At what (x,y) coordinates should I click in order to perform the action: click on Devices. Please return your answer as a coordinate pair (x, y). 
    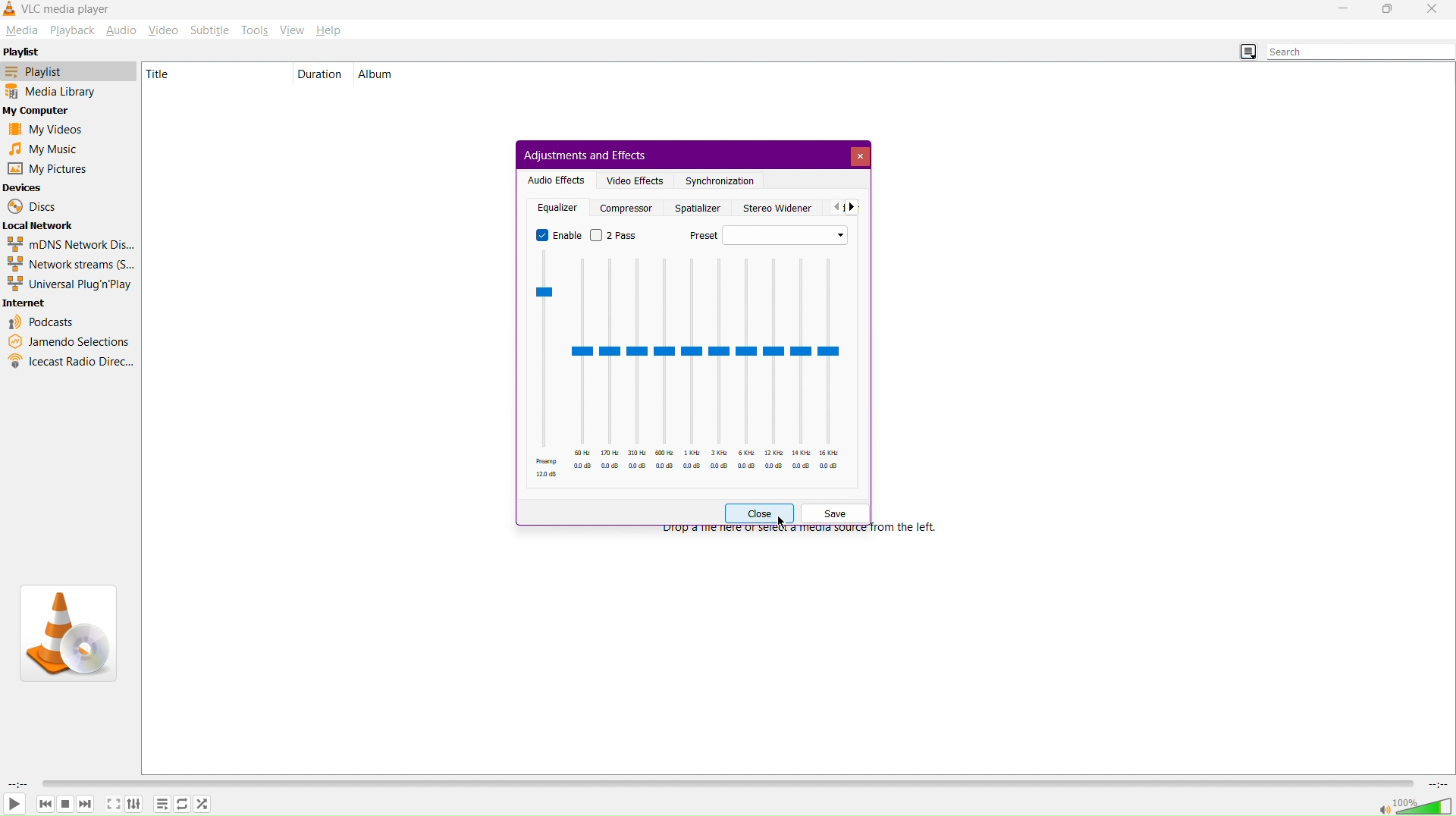
    Looking at the image, I should click on (24, 187).